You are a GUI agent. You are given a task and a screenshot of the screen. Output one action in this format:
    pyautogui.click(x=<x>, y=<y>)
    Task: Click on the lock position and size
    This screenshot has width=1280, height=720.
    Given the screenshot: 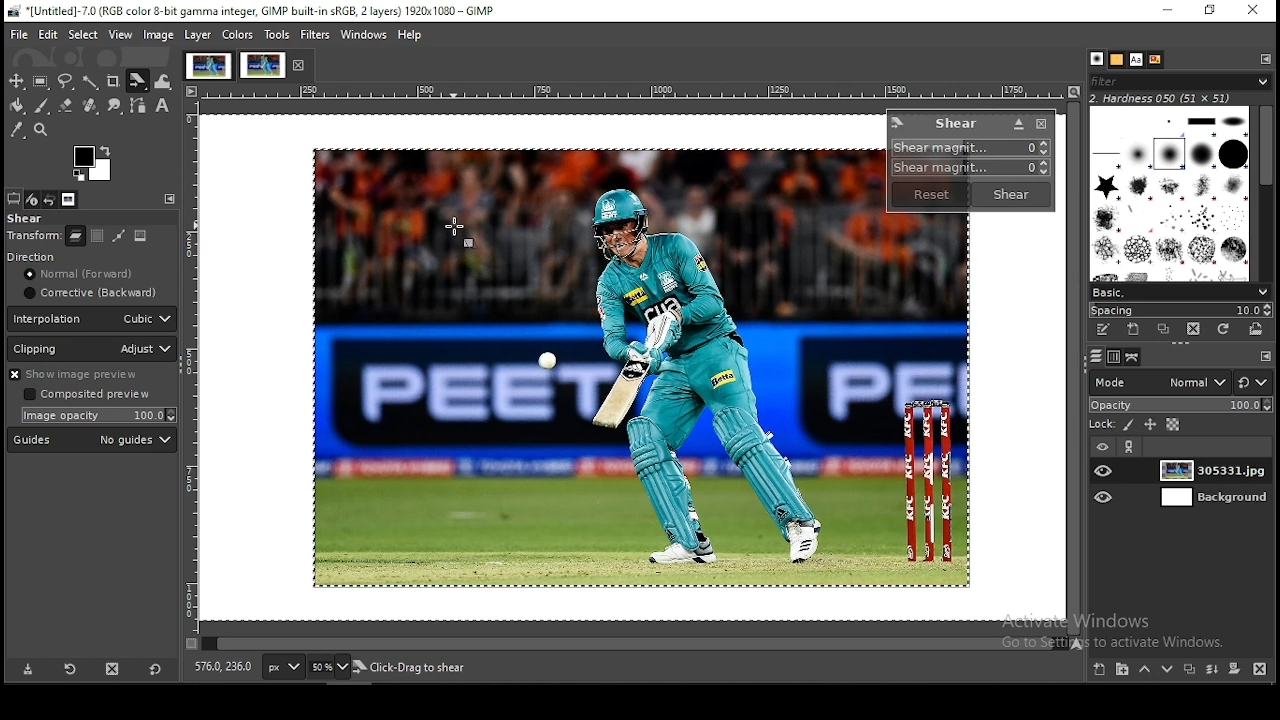 What is the action you would take?
    pyautogui.click(x=1153, y=426)
    